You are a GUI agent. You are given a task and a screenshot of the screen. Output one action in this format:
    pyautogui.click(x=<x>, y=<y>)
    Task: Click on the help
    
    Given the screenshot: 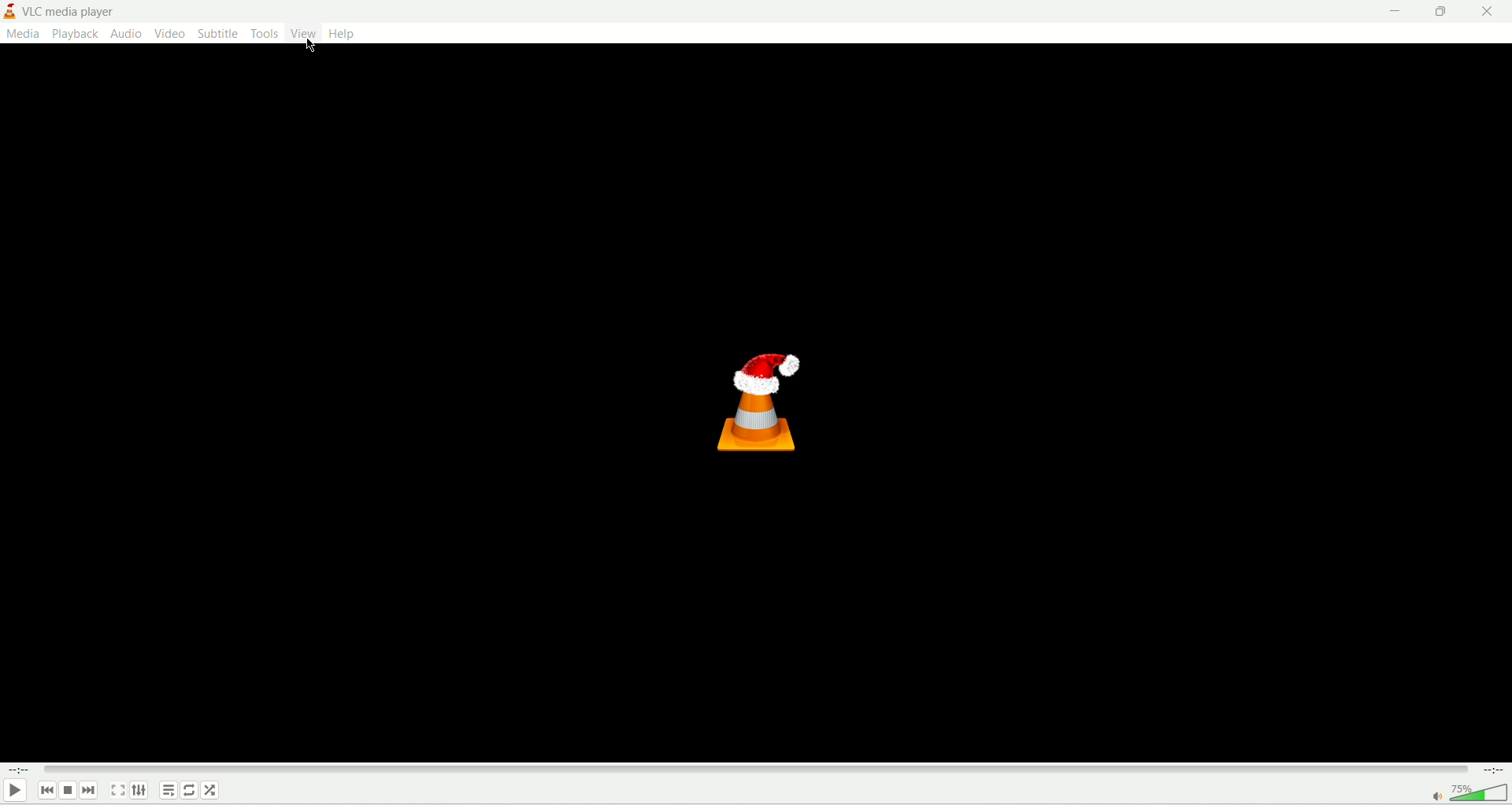 What is the action you would take?
    pyautogui.click(x=341, y=33)
    